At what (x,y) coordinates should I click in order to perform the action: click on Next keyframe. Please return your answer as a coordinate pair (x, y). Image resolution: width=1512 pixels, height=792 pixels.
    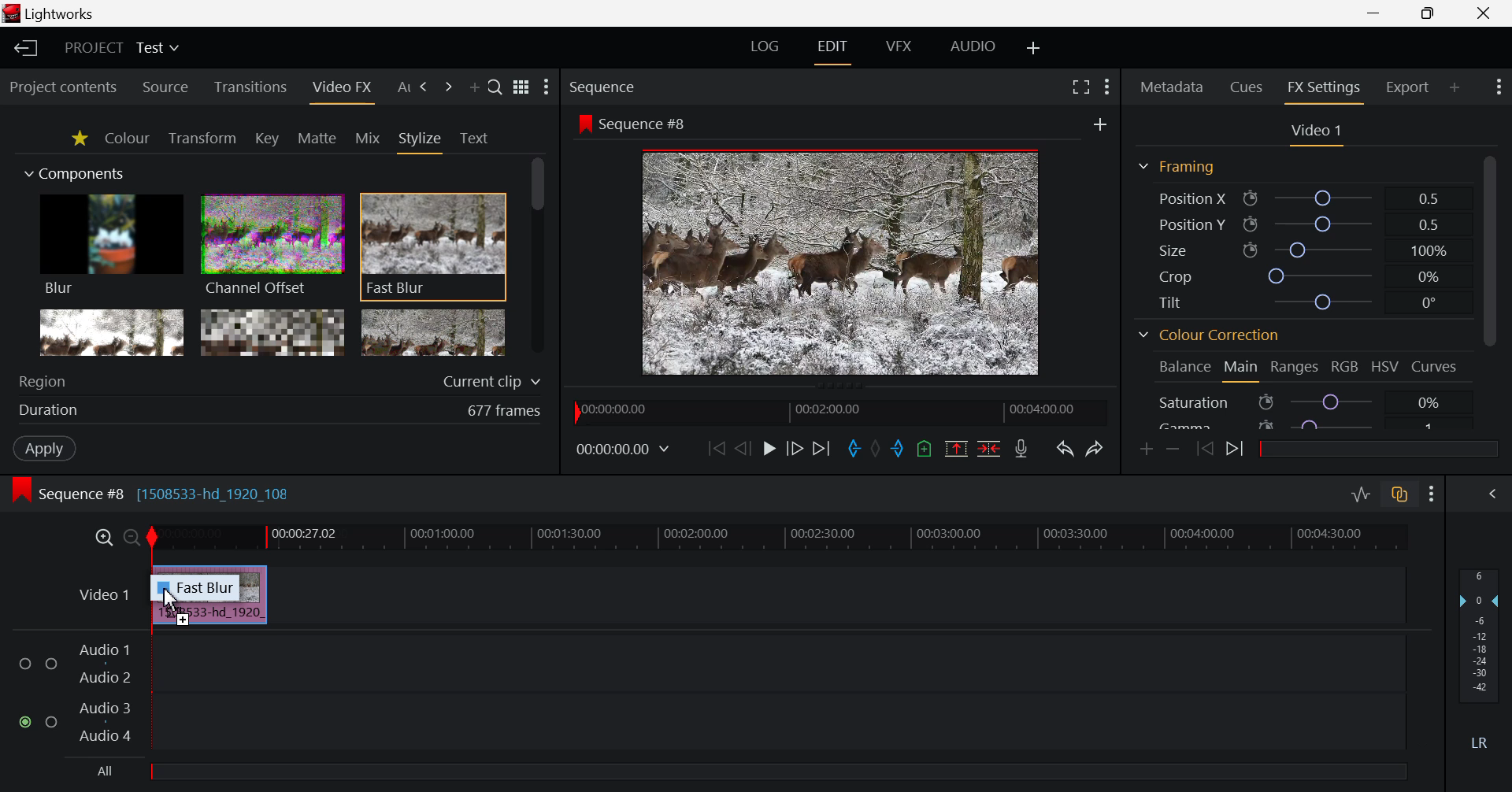
    Looking at the image, I should click on (1238, 450).